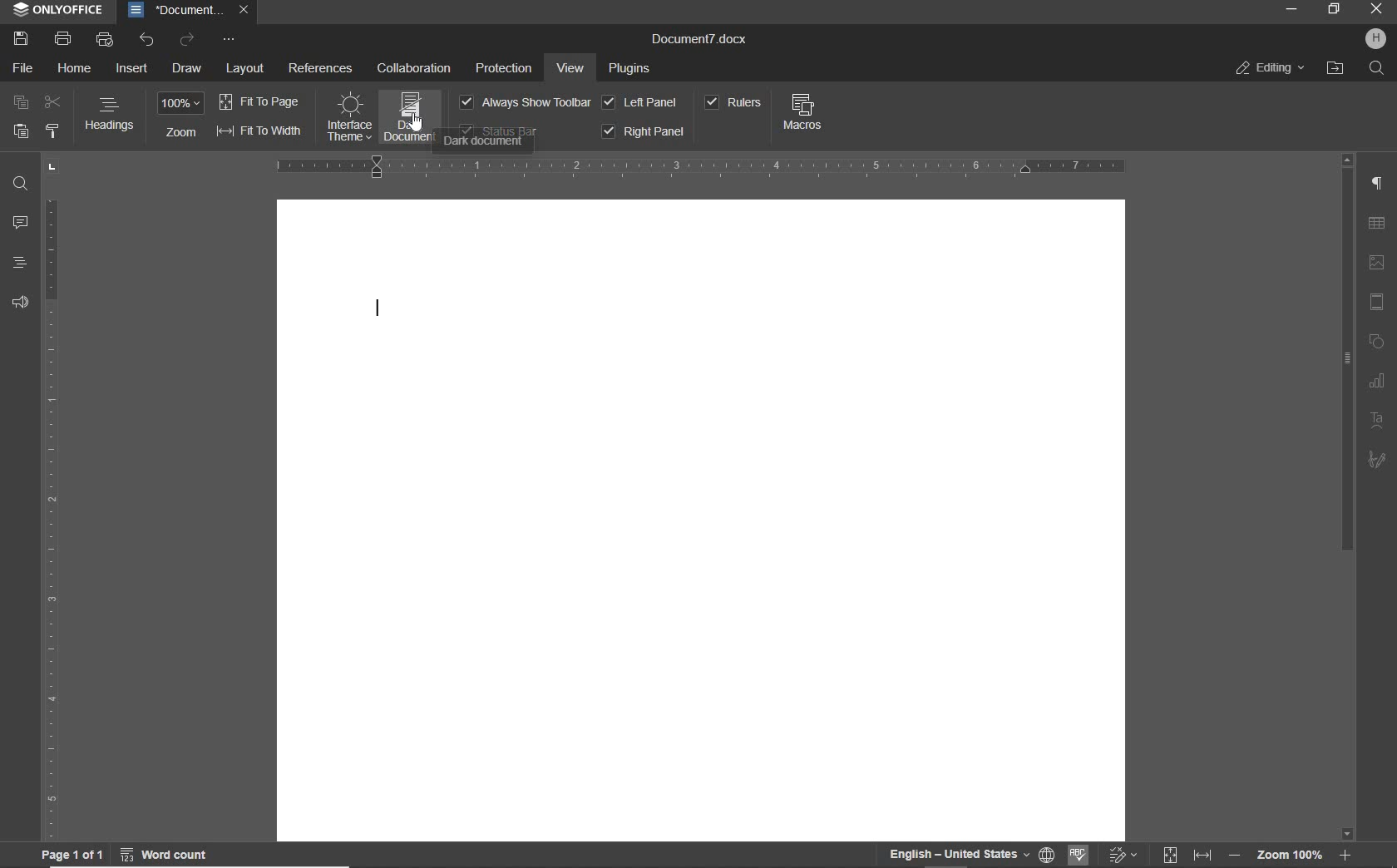 Image resolution: width=1397 pixels, height=868 pixels. Describe the element at coordinates (1172, 855) in the screenshot. I see `FIT TO PAGE` at that location.